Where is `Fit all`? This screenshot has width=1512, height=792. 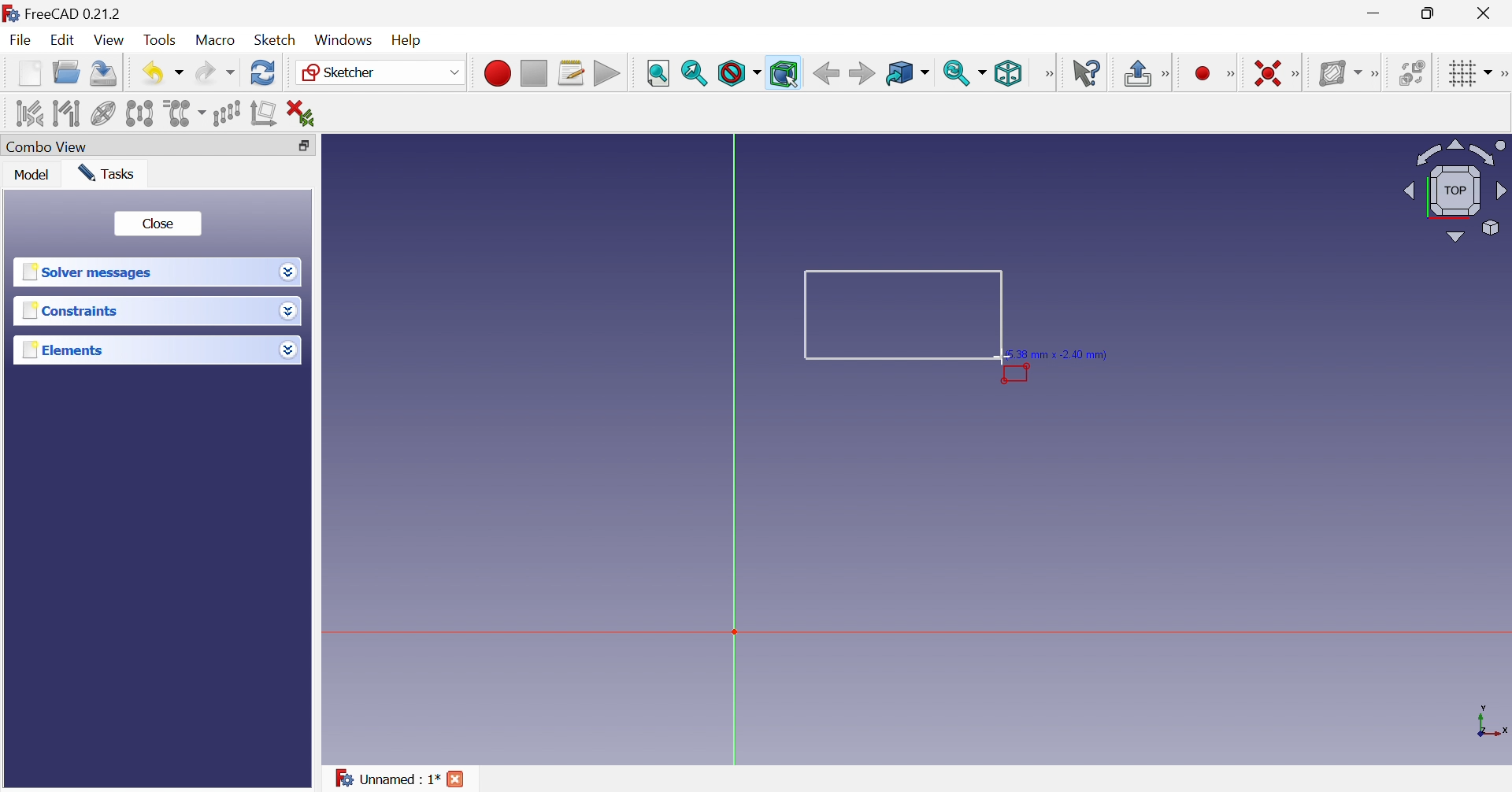
Fit all is located at coordinates (658, 73).